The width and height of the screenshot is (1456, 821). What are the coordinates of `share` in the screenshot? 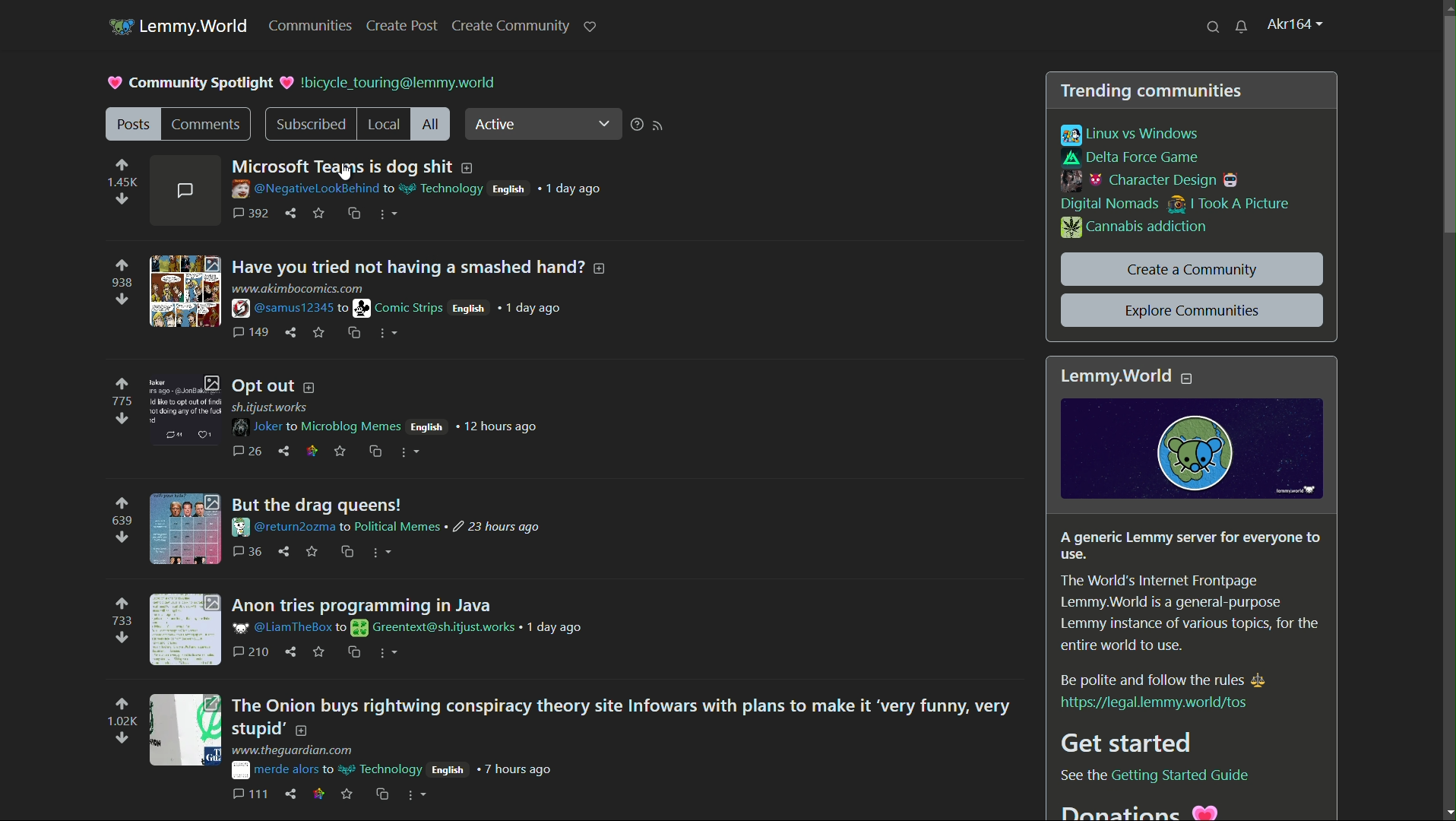 It's located at (290, 651).